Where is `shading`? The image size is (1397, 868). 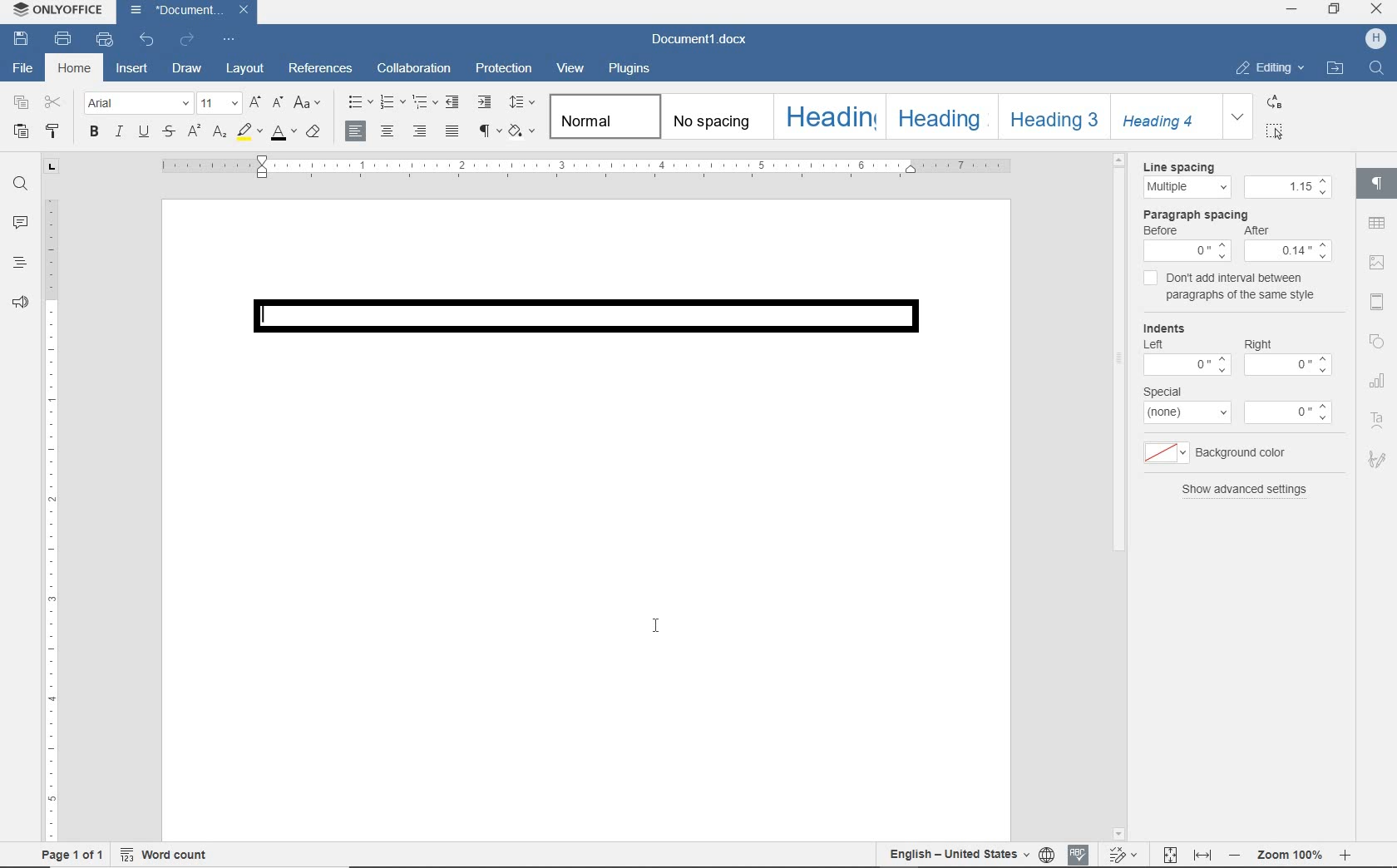
shading is located at coordinates (526, 132).